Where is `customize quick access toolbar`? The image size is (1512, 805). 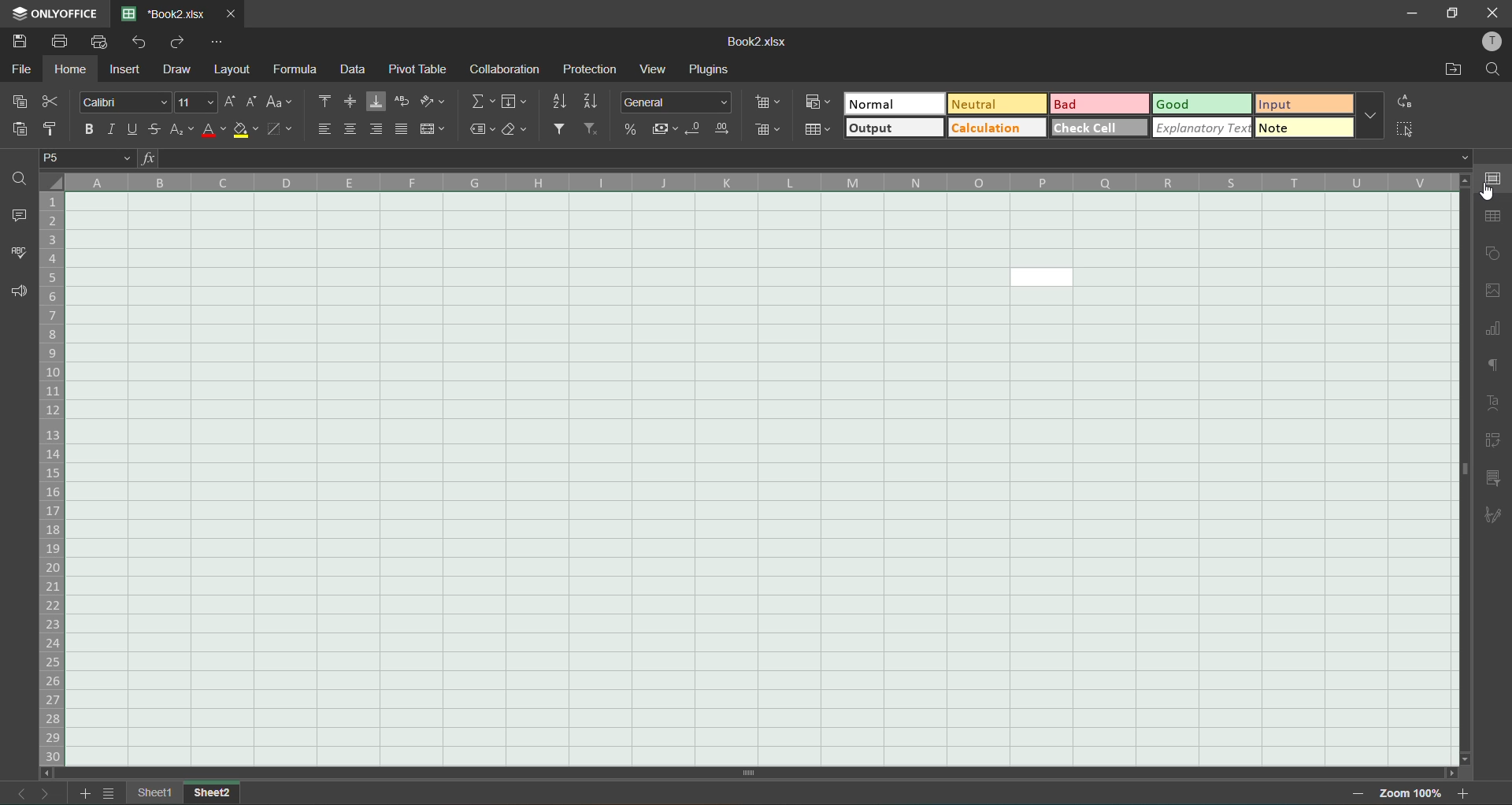
customize quick access toolbar is located at coordinates (218, 43).